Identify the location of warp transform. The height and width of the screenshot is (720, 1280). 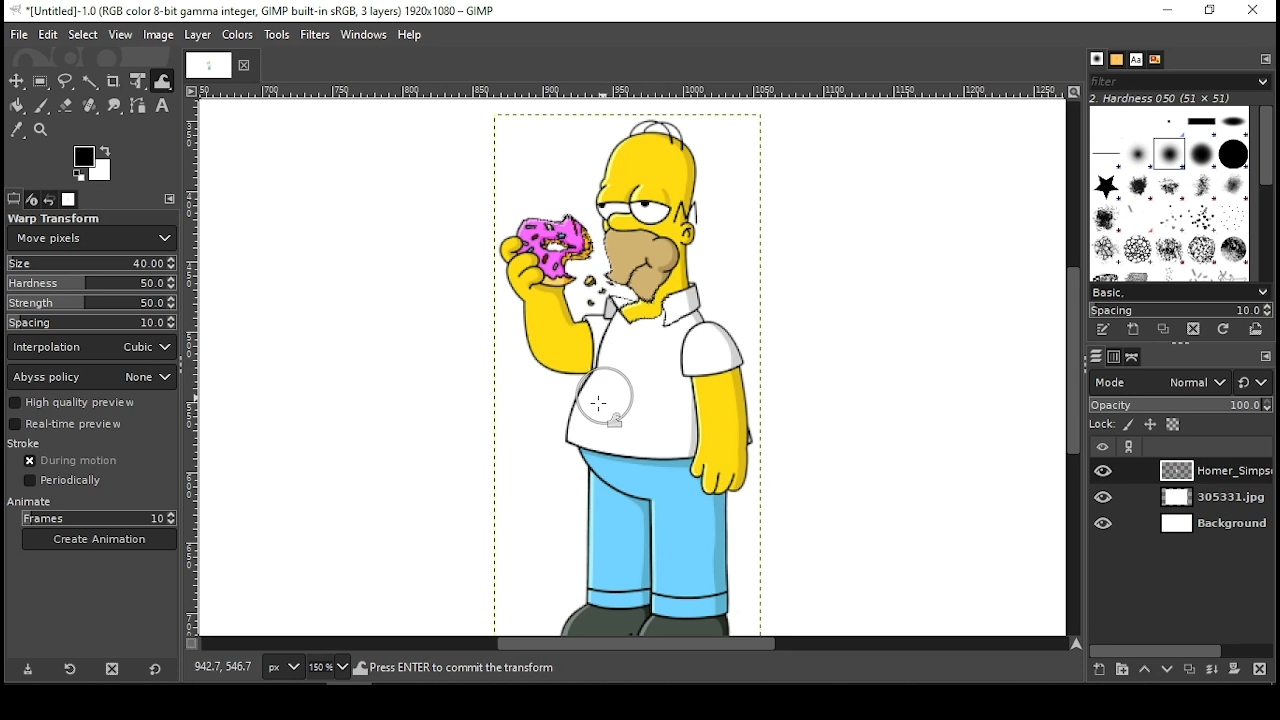
(56, 218).